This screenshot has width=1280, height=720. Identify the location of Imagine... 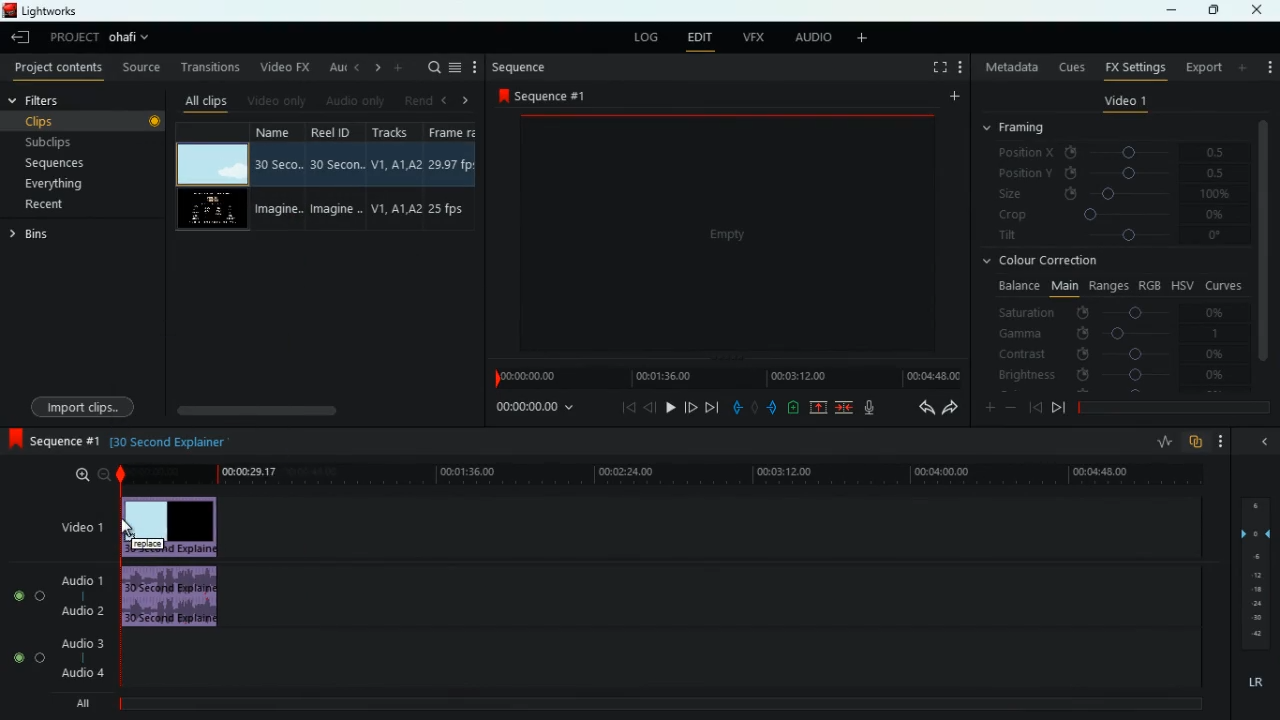
(340, 212).